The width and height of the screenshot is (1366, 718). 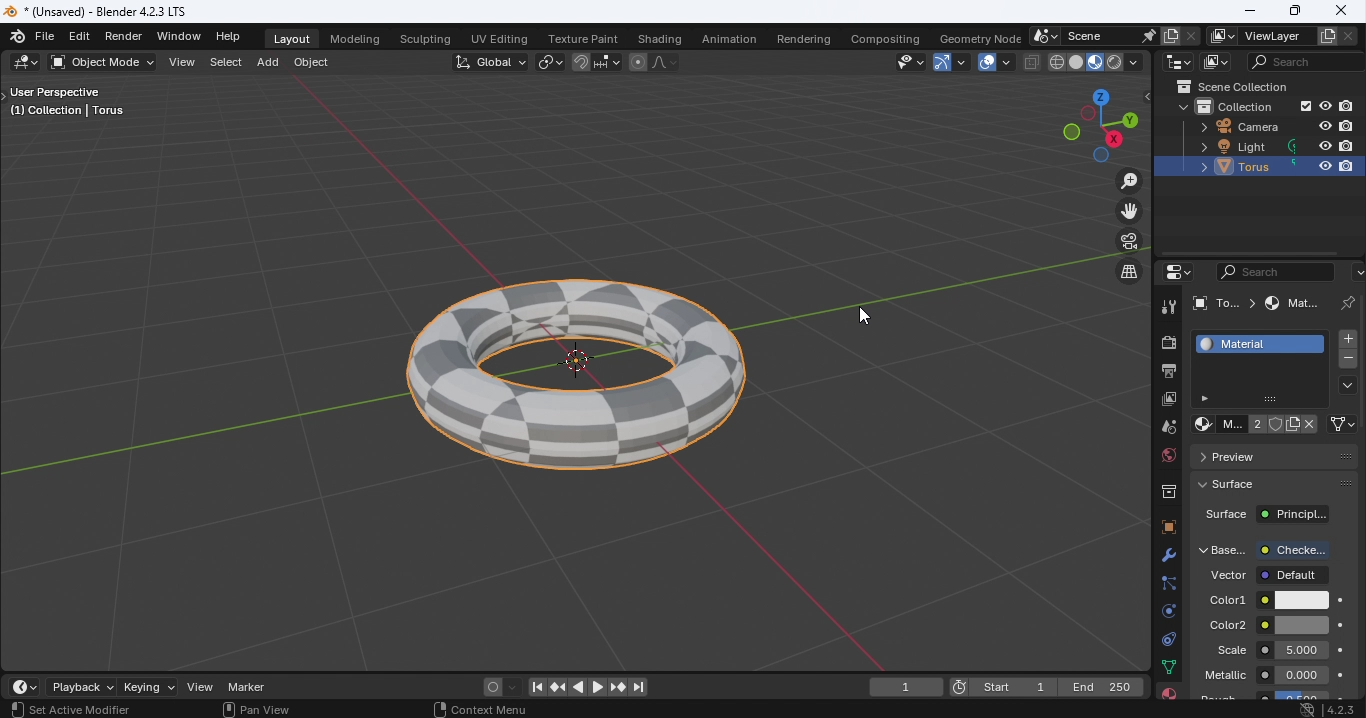 What do you see at coordinates (500, 37) in the screenshot?
I see `UV Editing` at bounding box center [500, 37].